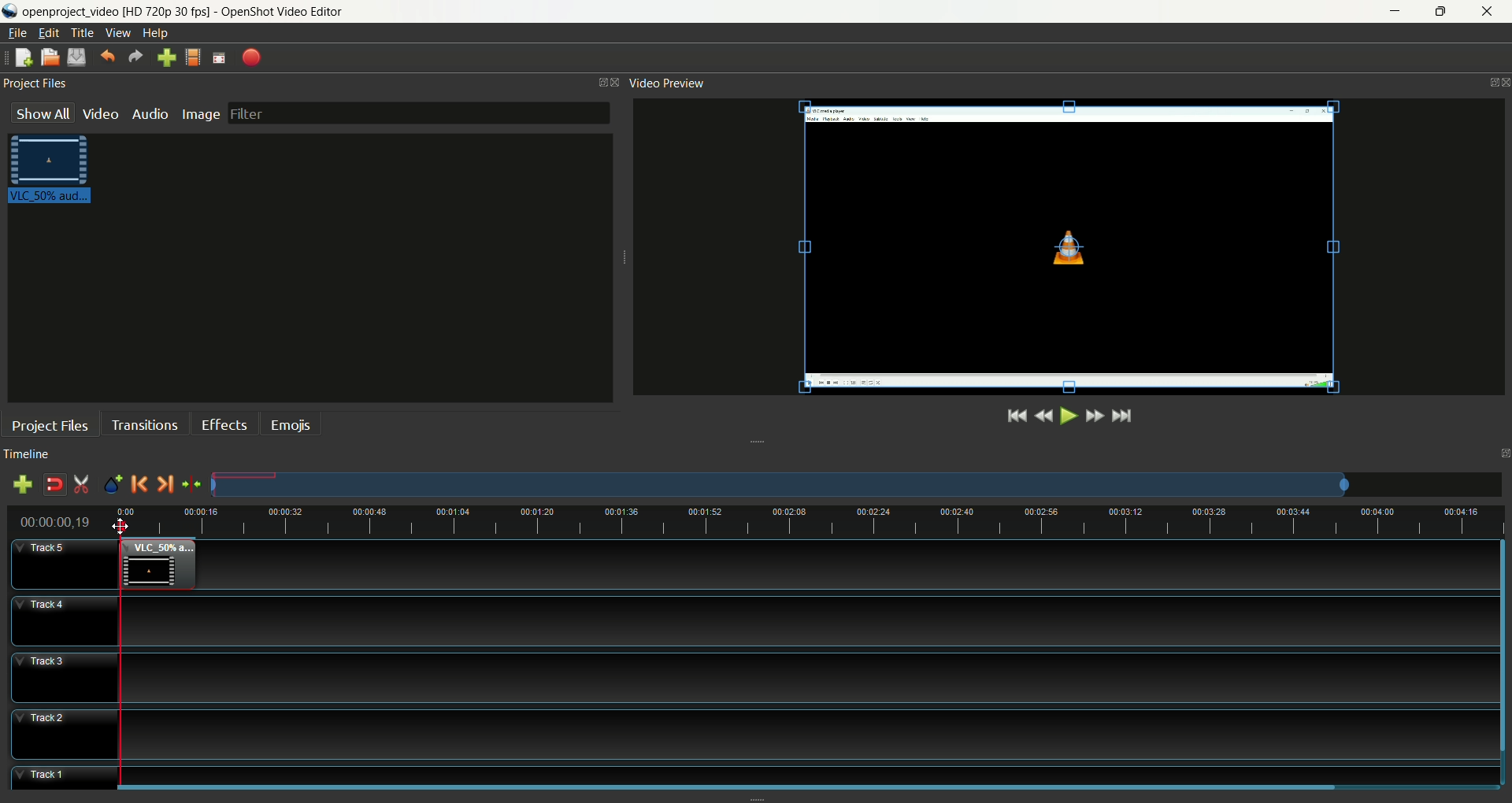 This screenshot has width=1512, height=803. I want to click on image, so click(201, 112).